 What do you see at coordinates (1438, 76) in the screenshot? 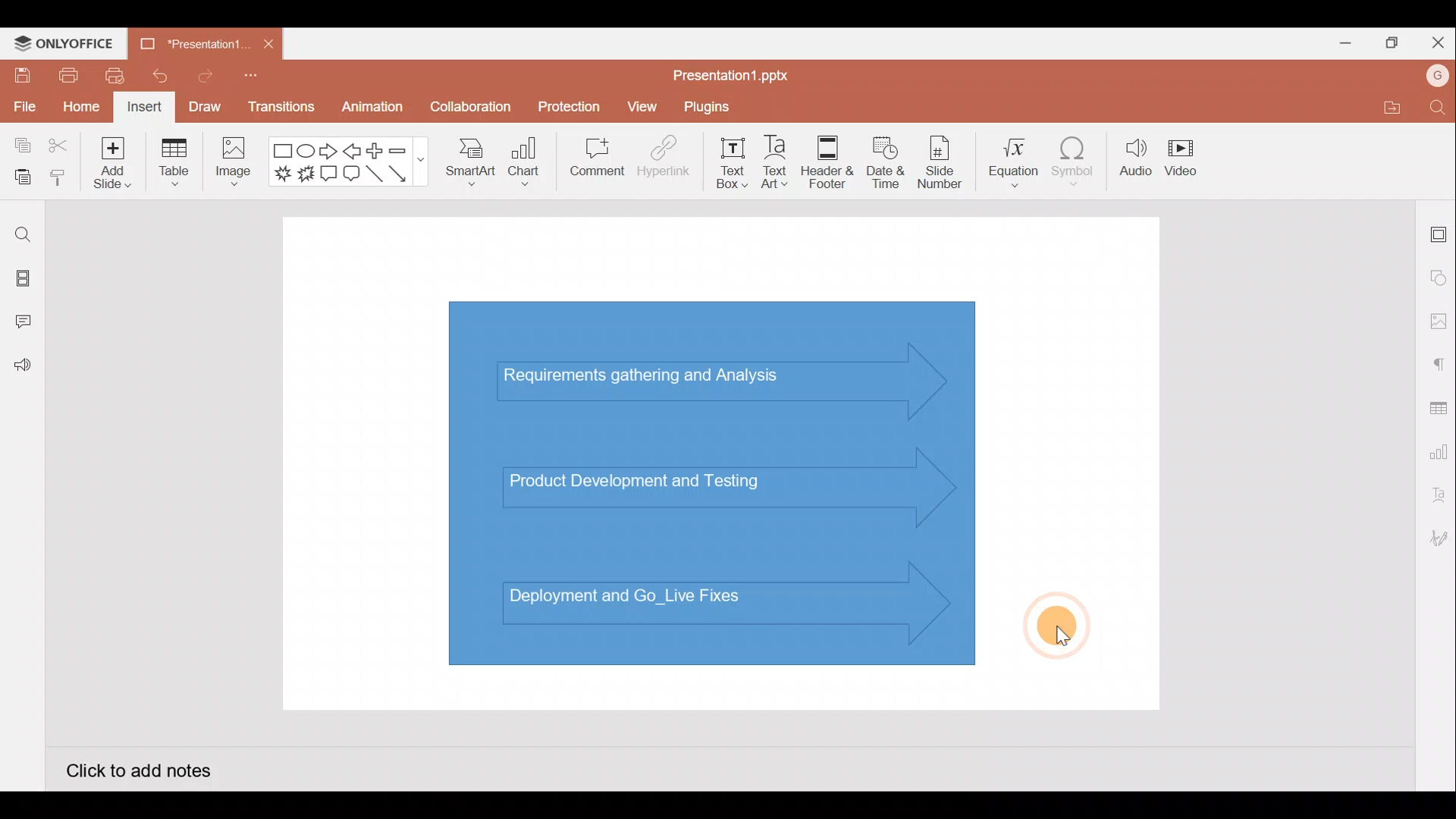
I see `Account name` at bounding box center [1438, 76].